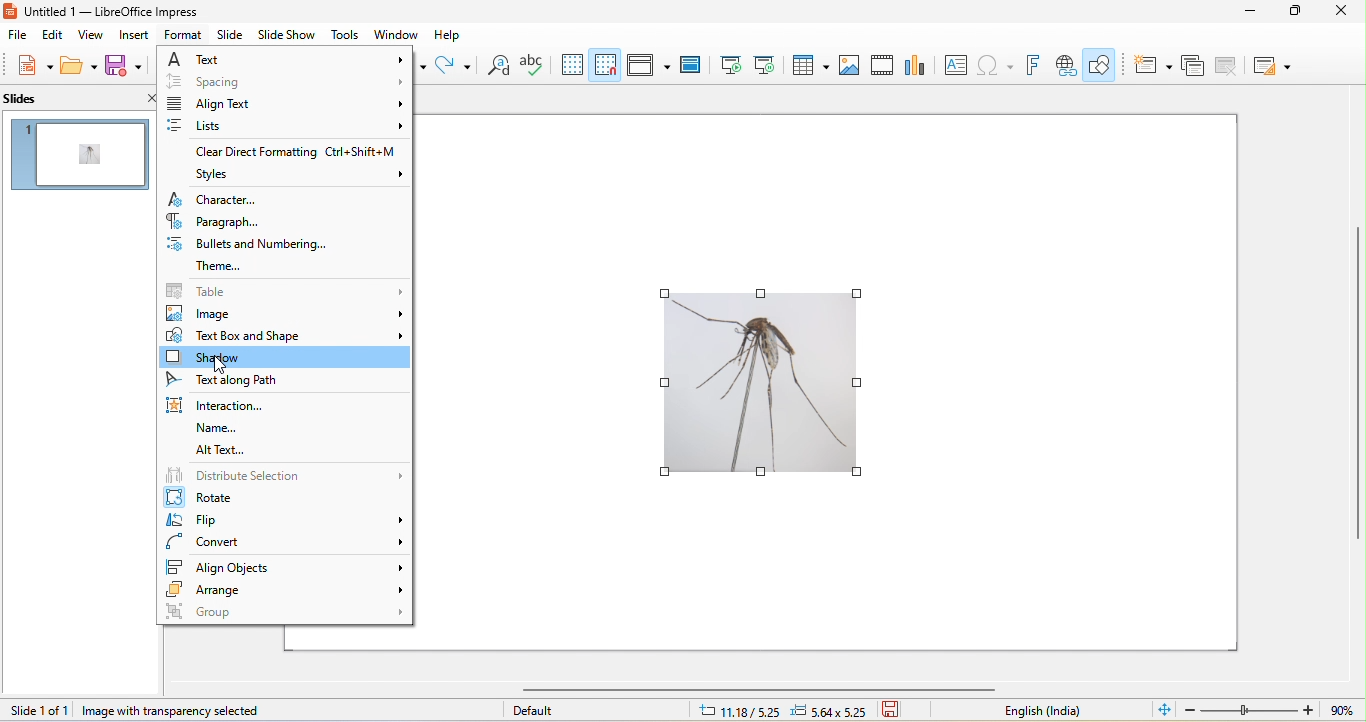 The width and height of the screenshot is (1366, 722). What do you see at coordinates (730, 65) in the screenshot?
I see `start from beginning` at bounding box center [730, 65].